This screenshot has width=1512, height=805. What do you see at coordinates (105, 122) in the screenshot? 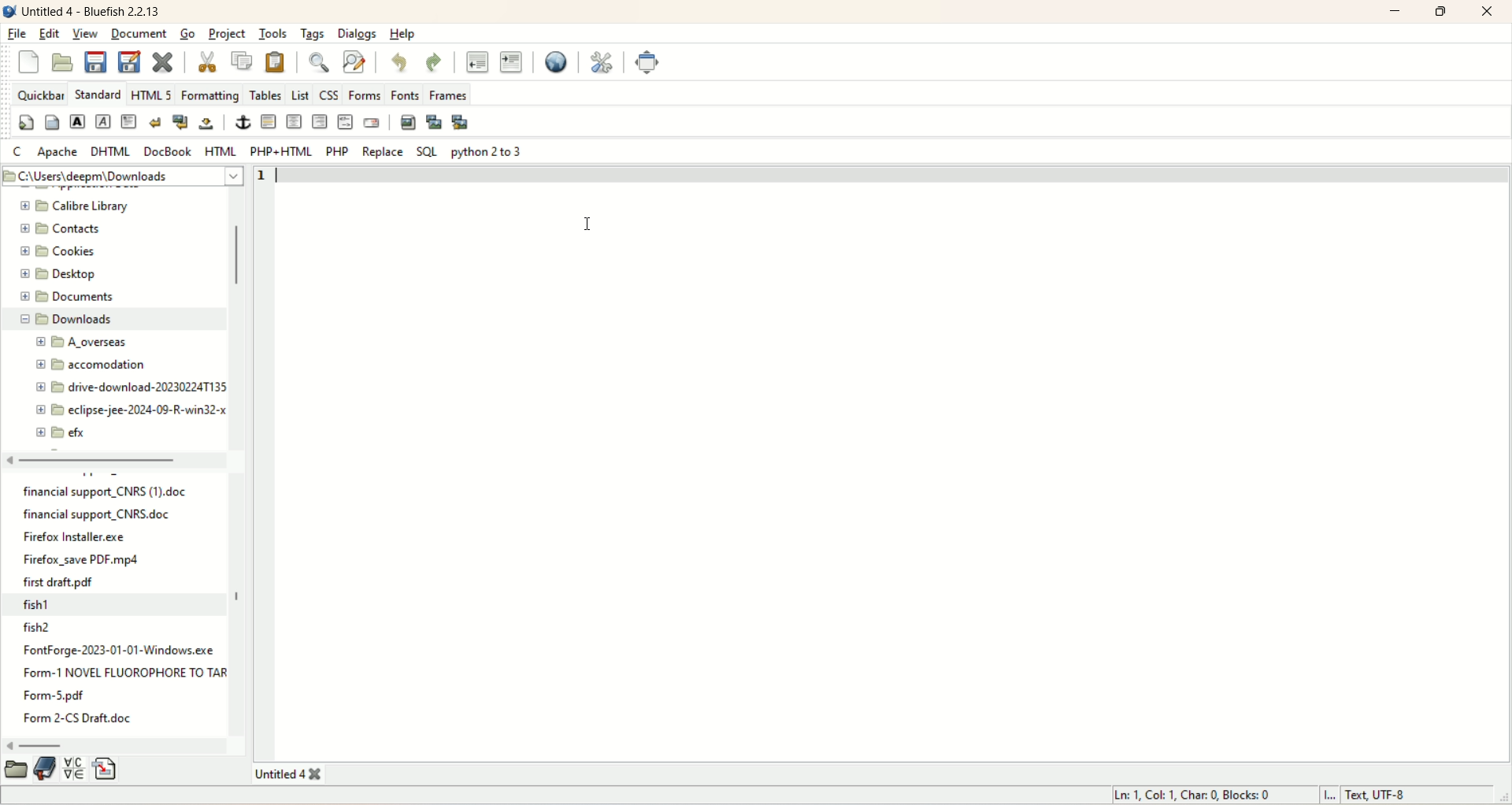
I see `emphasize` at bounding box center [105, 122].